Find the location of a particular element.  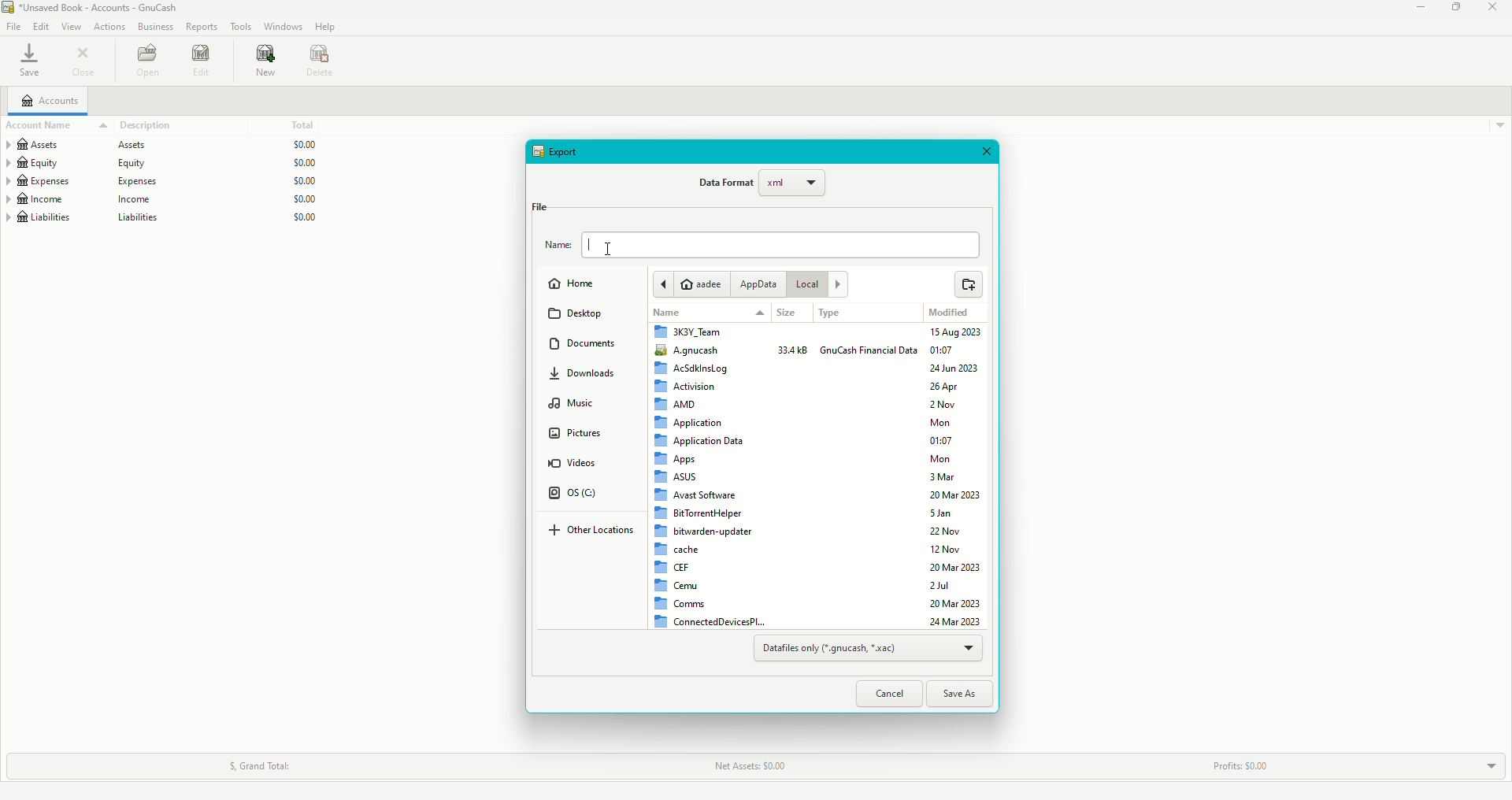

New is located at coordinates (268, 63).